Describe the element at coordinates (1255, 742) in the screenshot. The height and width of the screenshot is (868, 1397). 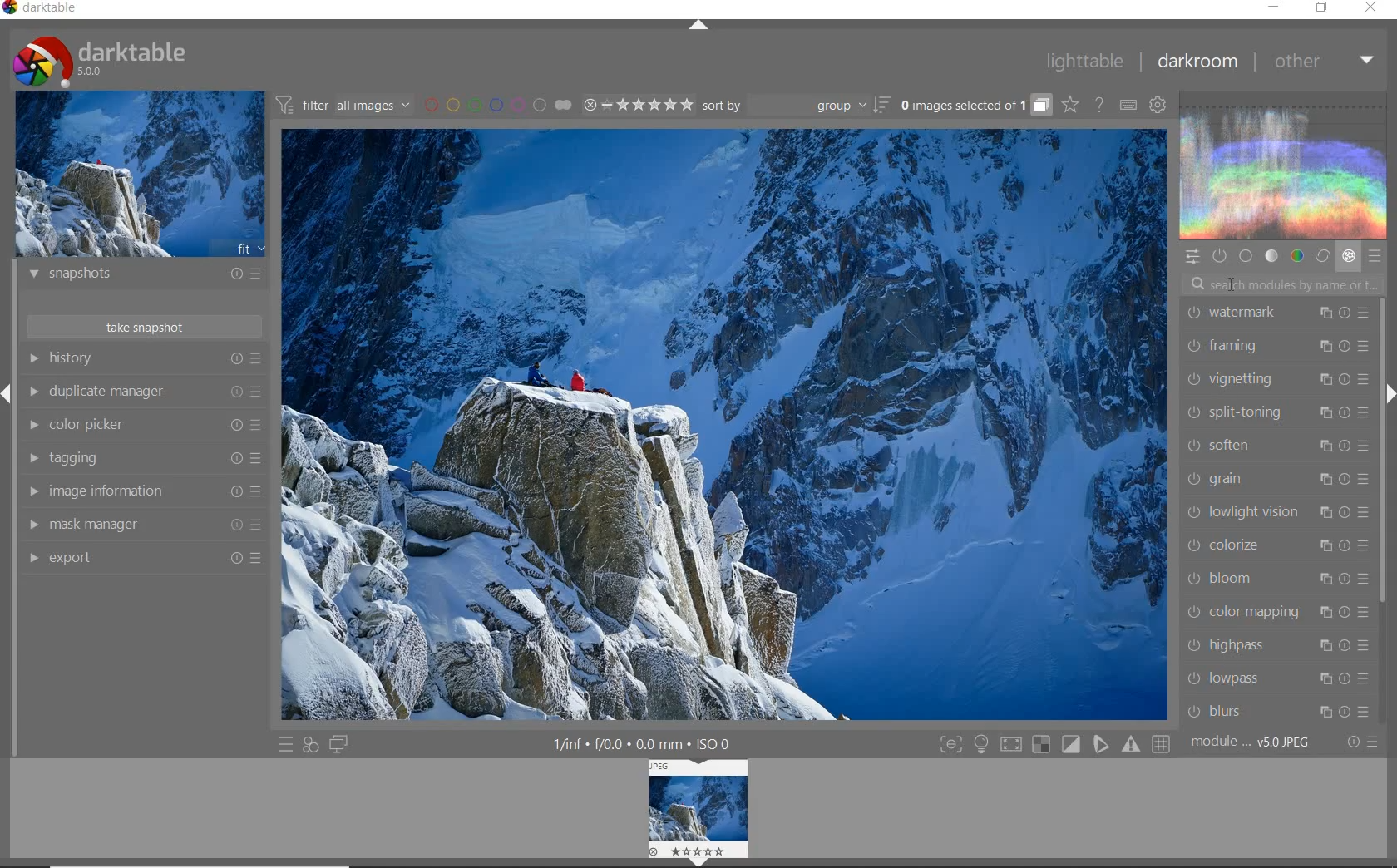
I see `module..v50JPEG` at that location.